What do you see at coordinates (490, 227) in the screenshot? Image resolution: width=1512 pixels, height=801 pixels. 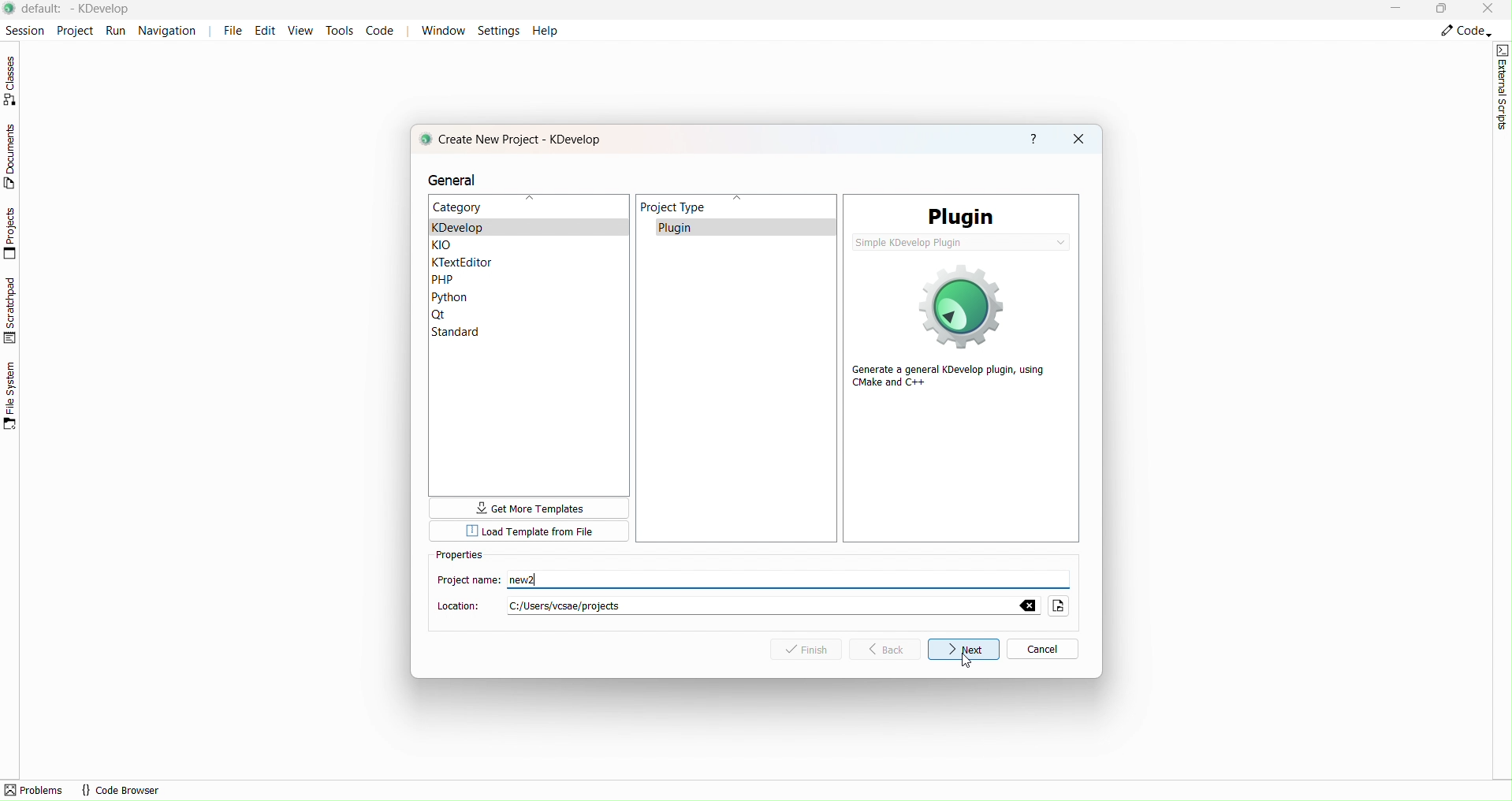 I see `kdevelop` at bounding box center [490, 227].